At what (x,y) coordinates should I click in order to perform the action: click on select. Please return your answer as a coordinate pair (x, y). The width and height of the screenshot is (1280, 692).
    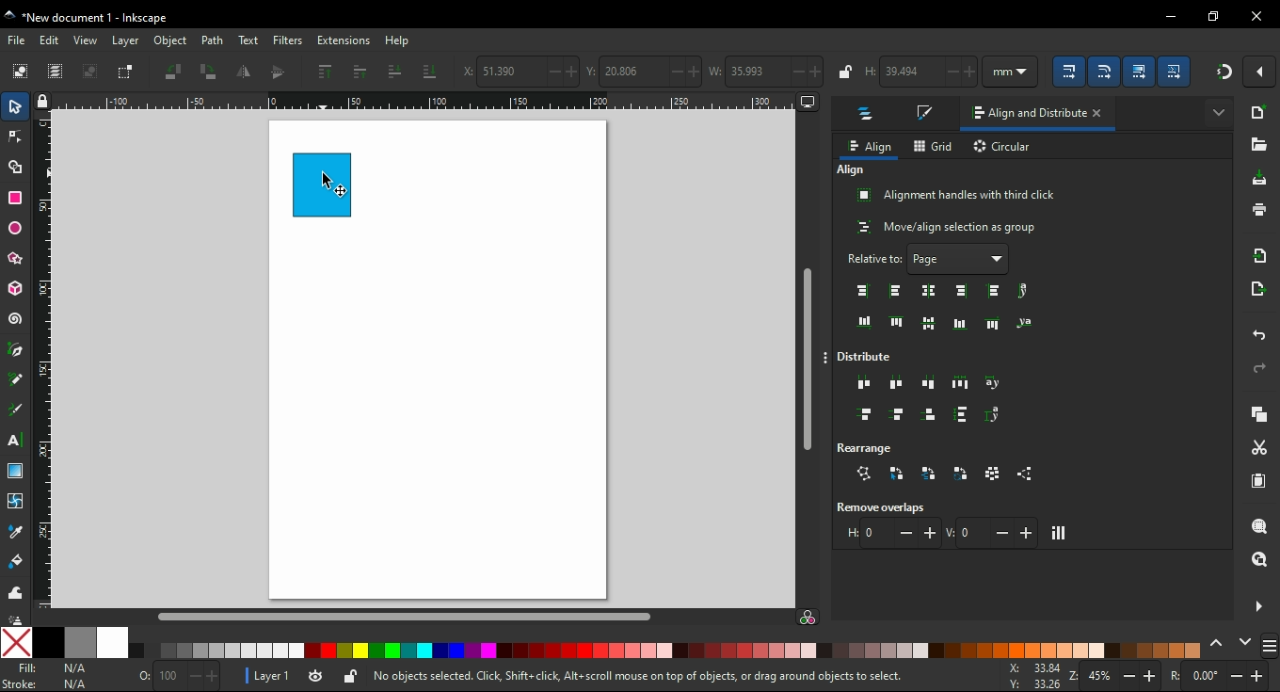
    Looking at the image, I should click on (17, 109).